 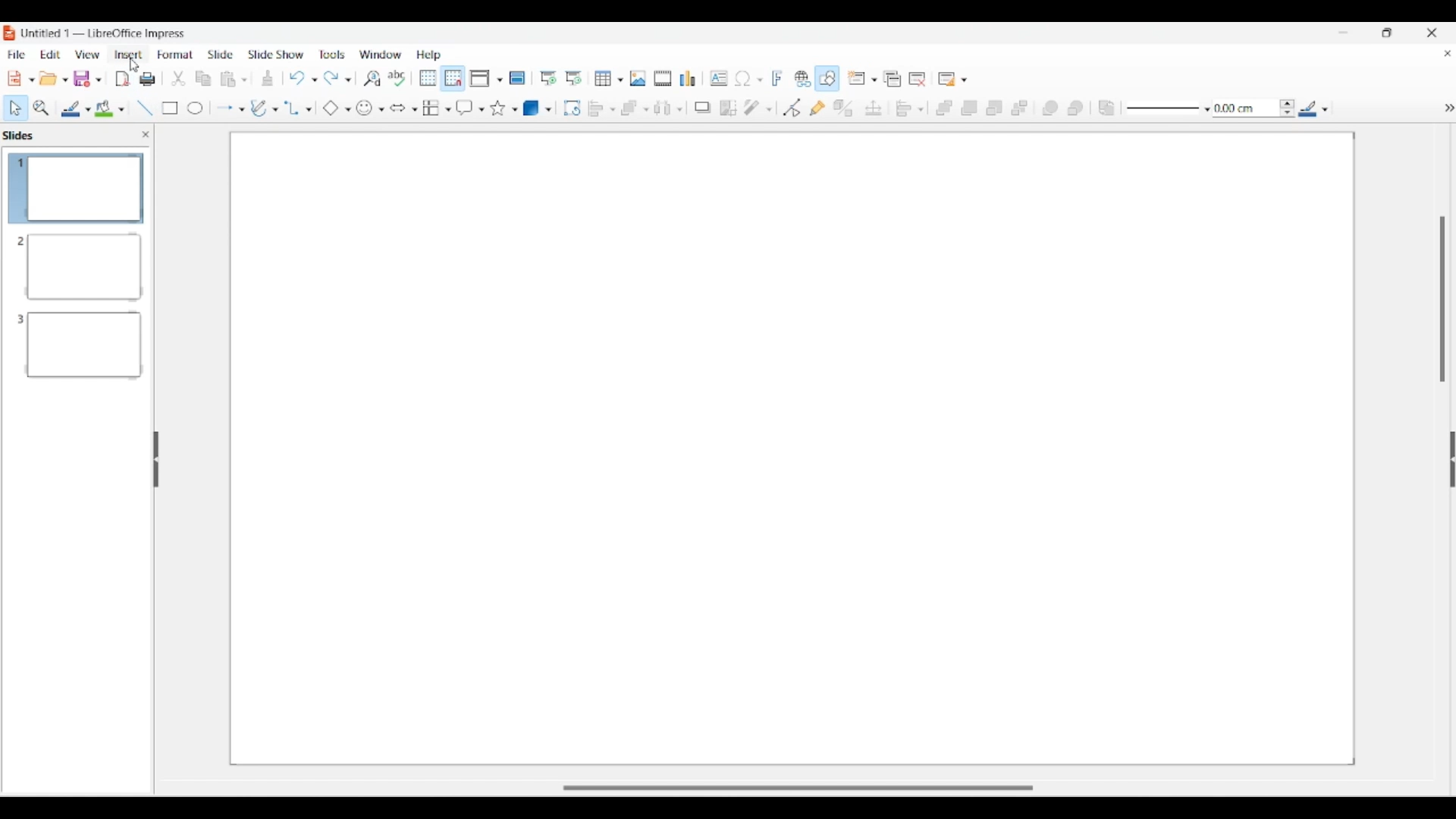 I want to click on Line color options, so click(x=1313, y=108).